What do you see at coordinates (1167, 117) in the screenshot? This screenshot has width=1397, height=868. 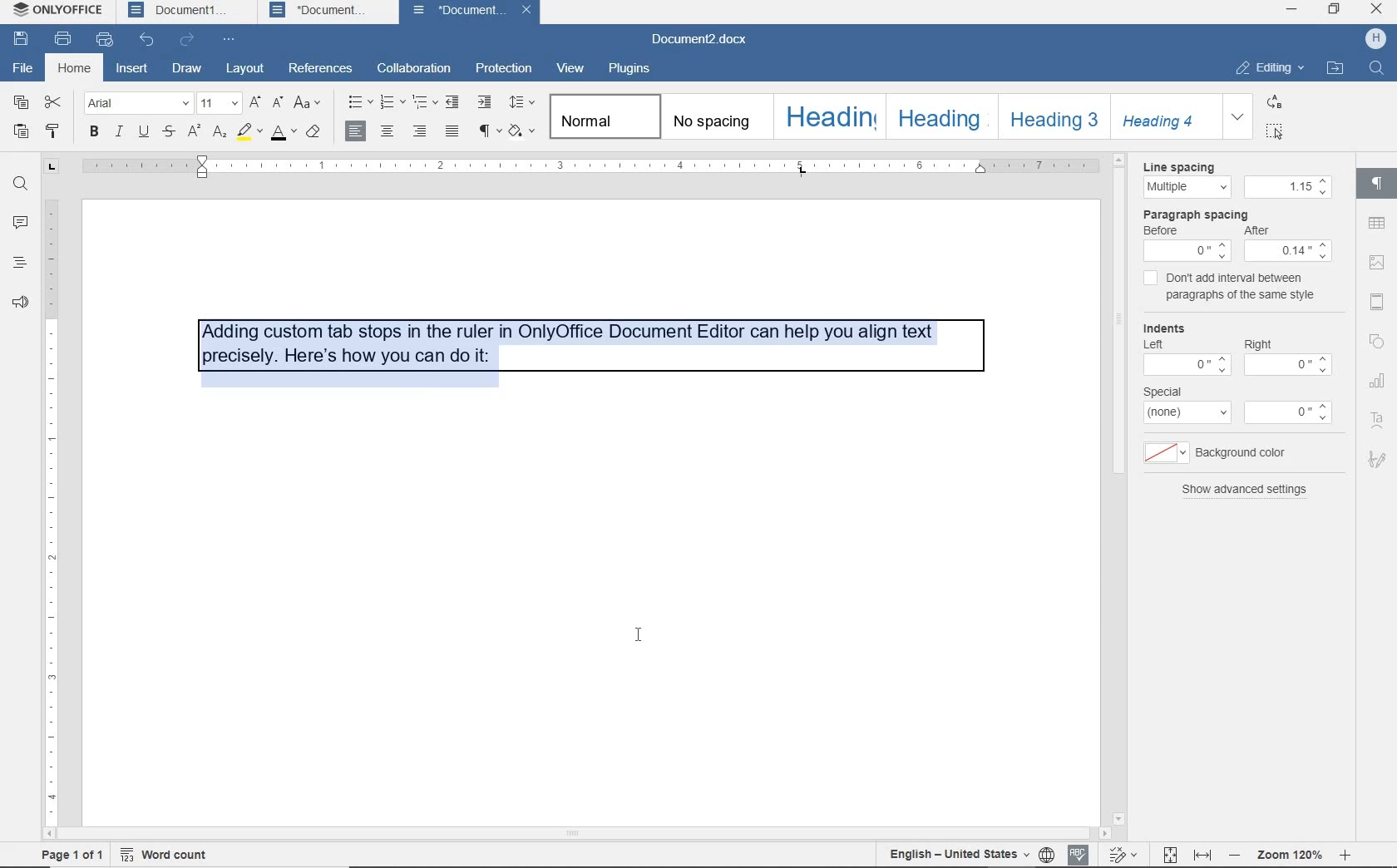 I see `heading 4` at bounding box center [1167, 117].